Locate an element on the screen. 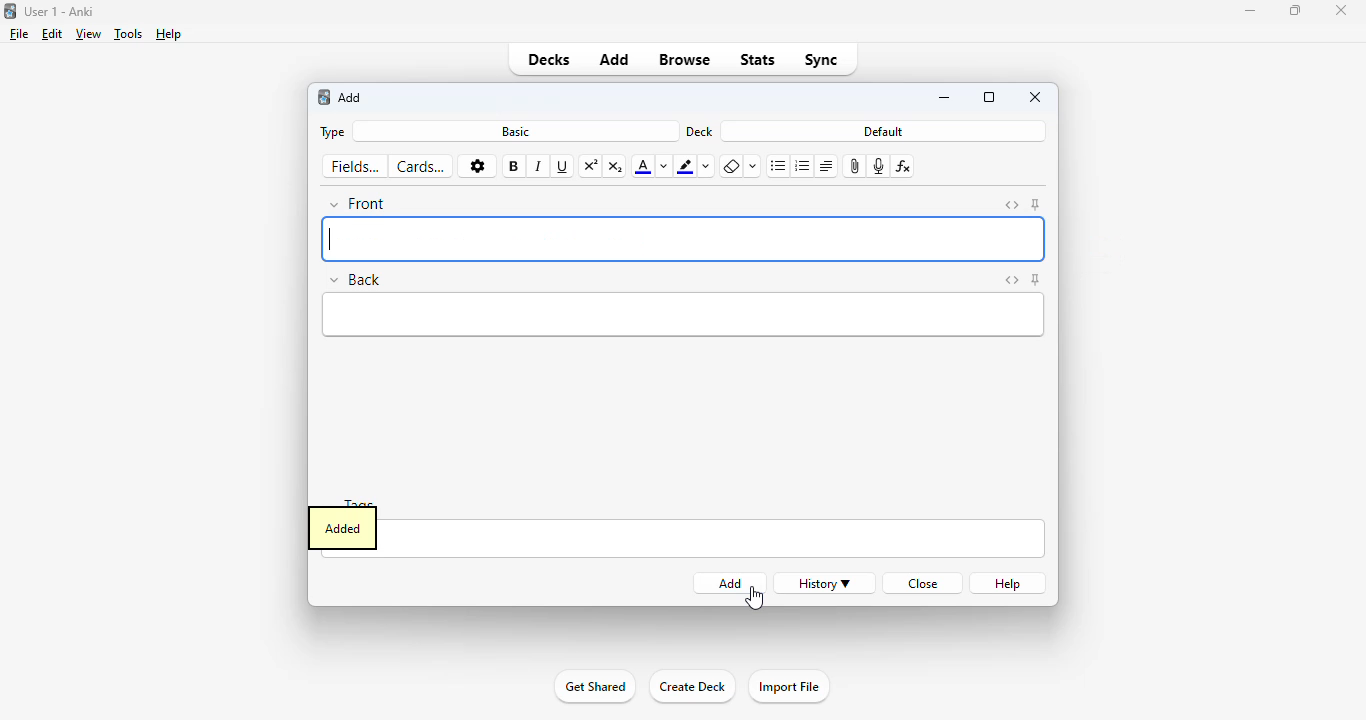 This screenshot has width=1366, height=720. record audio is located at coordinates (877, 167).